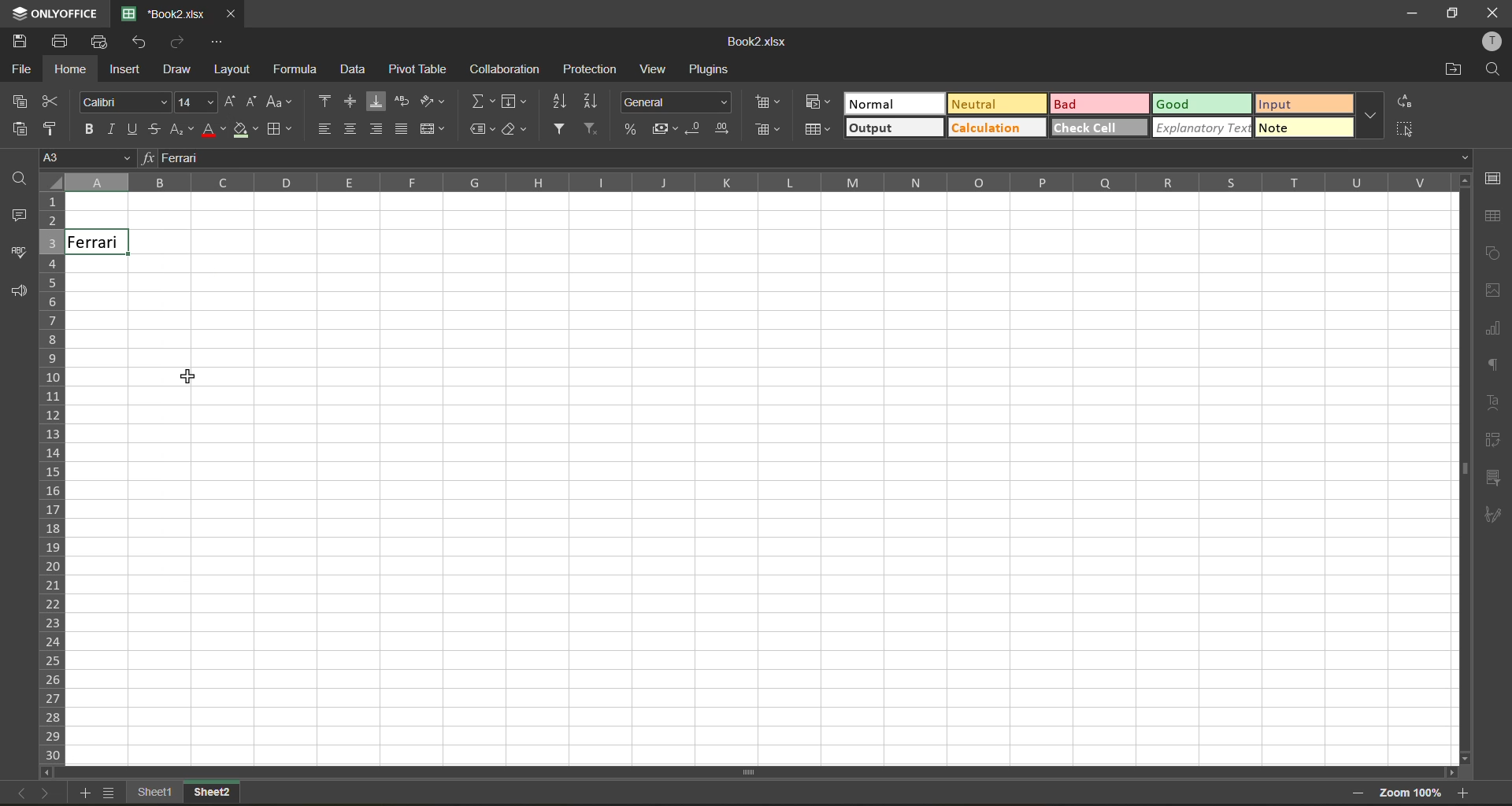 This screenshot has width=1512, height=806. I want to click on check cell, so click(1100, 129).